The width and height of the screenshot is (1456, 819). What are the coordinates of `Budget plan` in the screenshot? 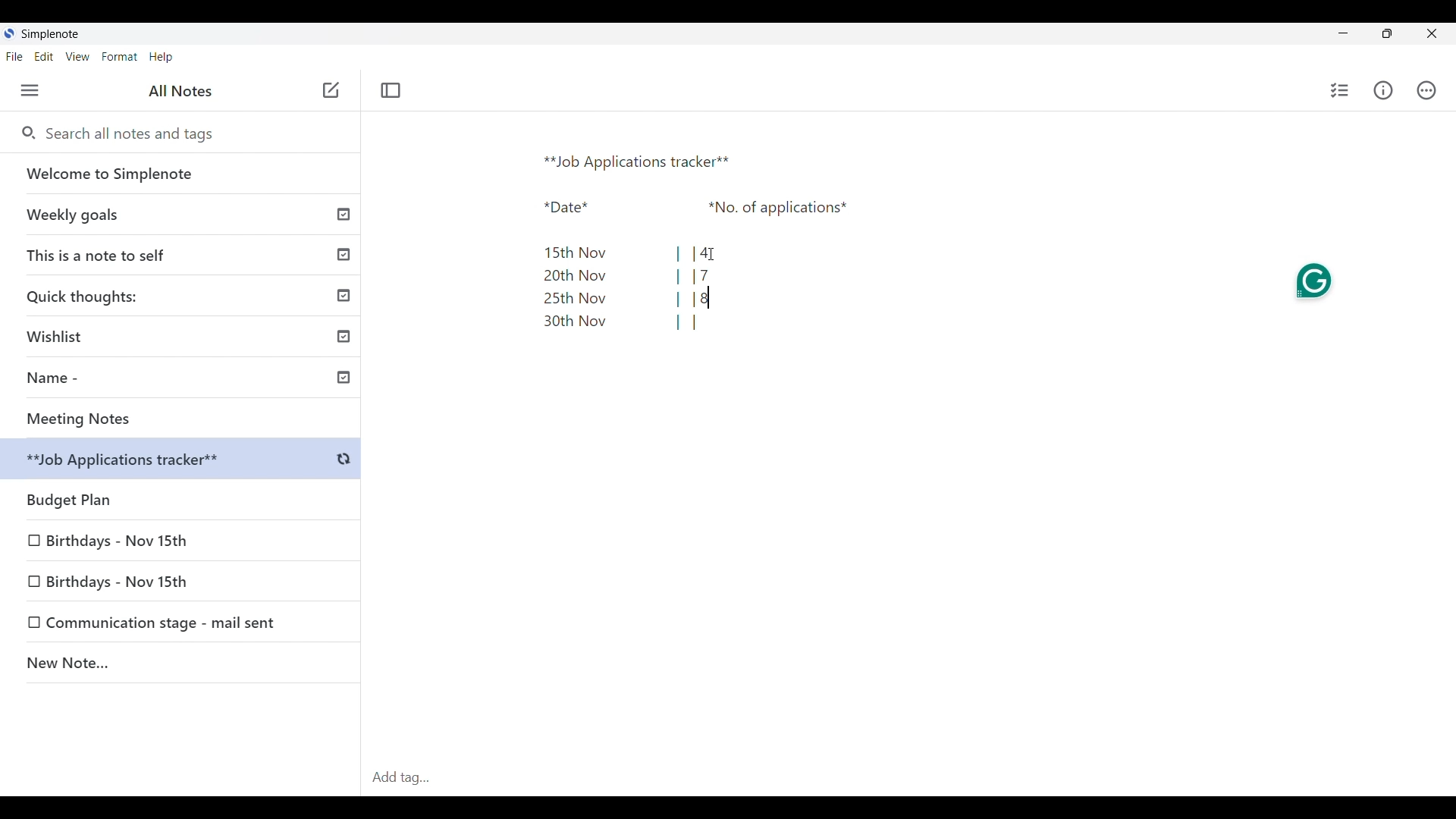 It's located at (182, 496).